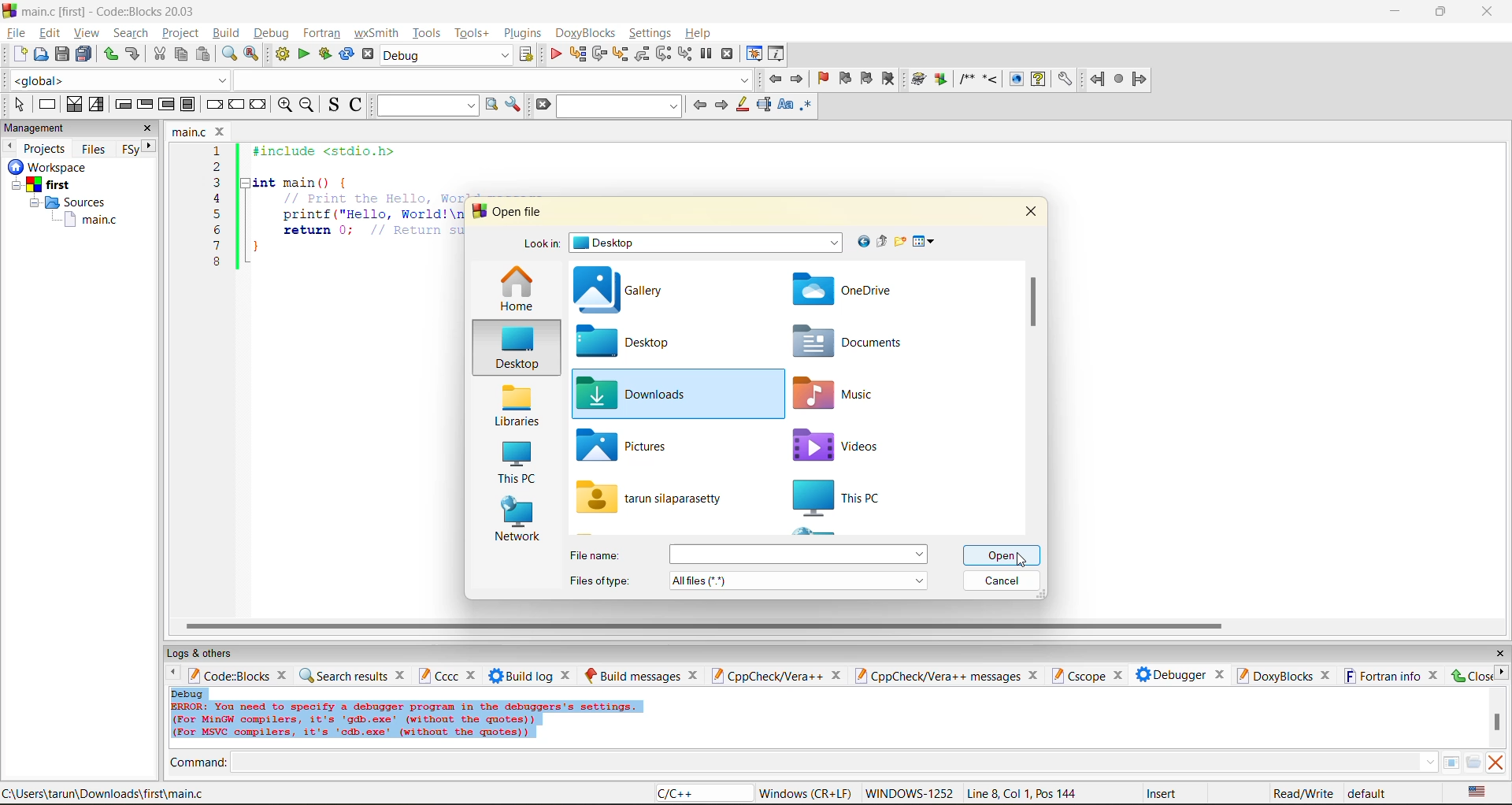 This screenshot has height=805, width=1512. I want to click on desktop, so click(640, 342).